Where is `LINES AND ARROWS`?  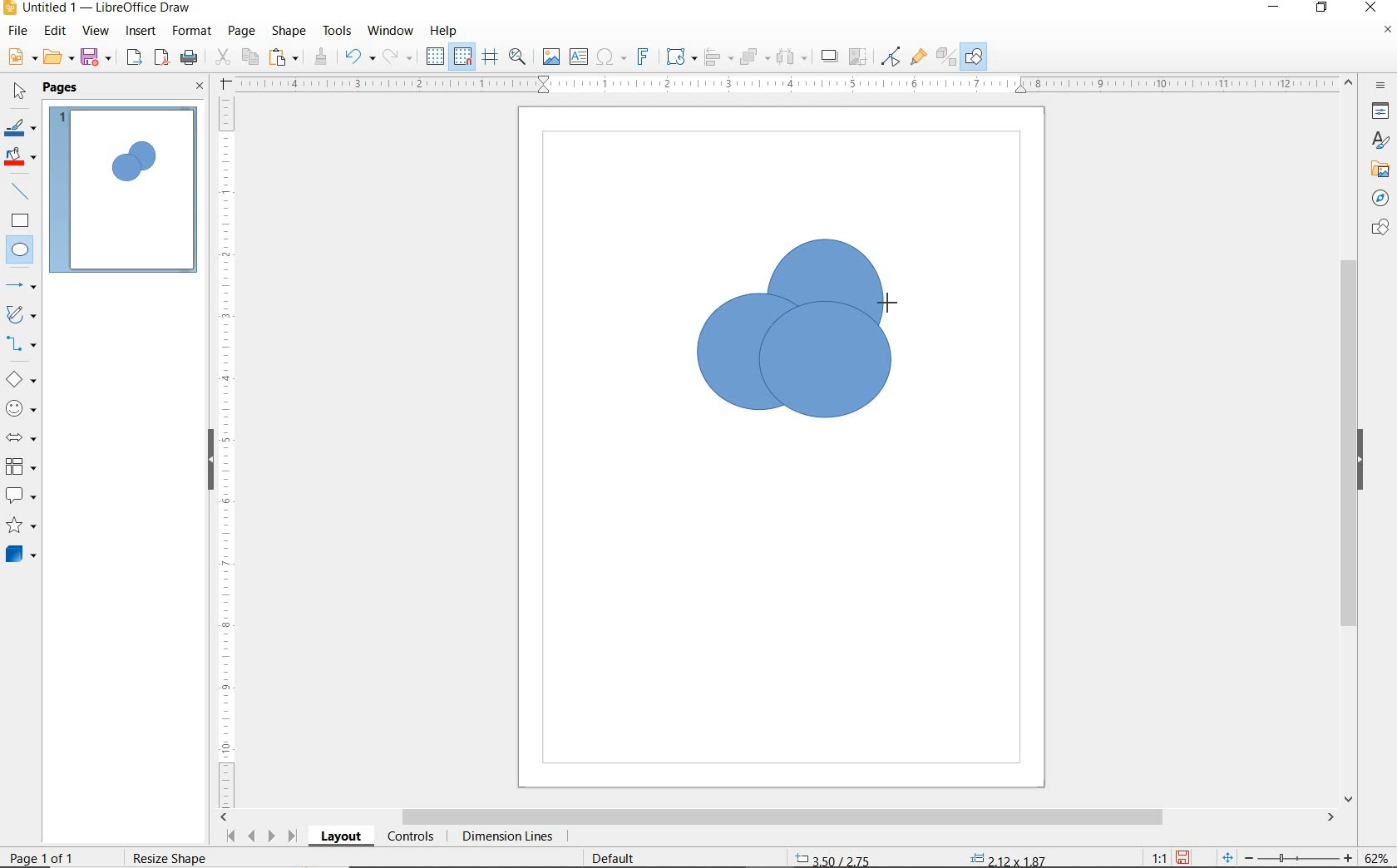
LINES AND ARROWS is located at coordinates (22, 287).